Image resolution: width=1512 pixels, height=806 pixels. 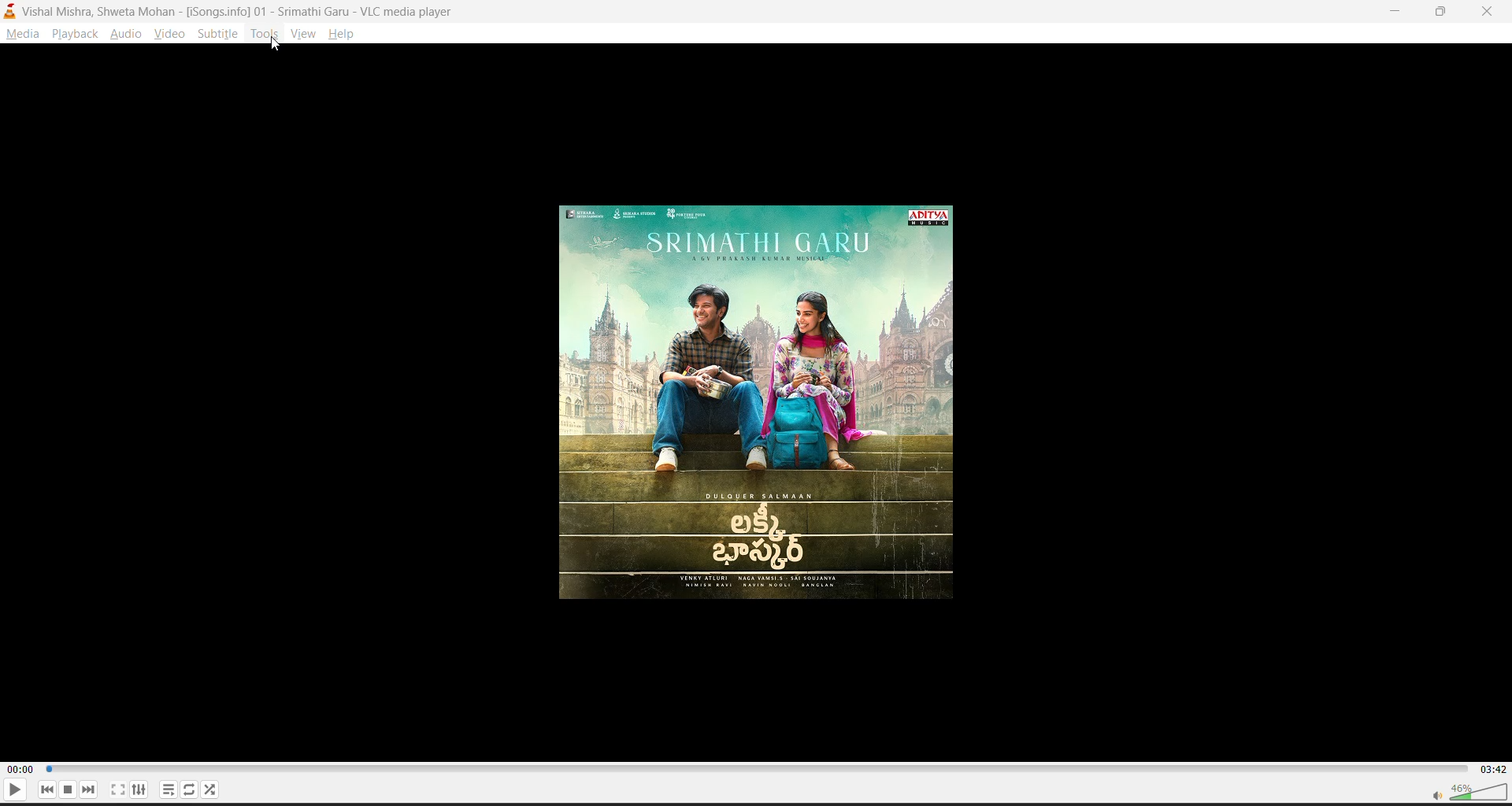 I want to click on track slider, so click(x=754, y=767).